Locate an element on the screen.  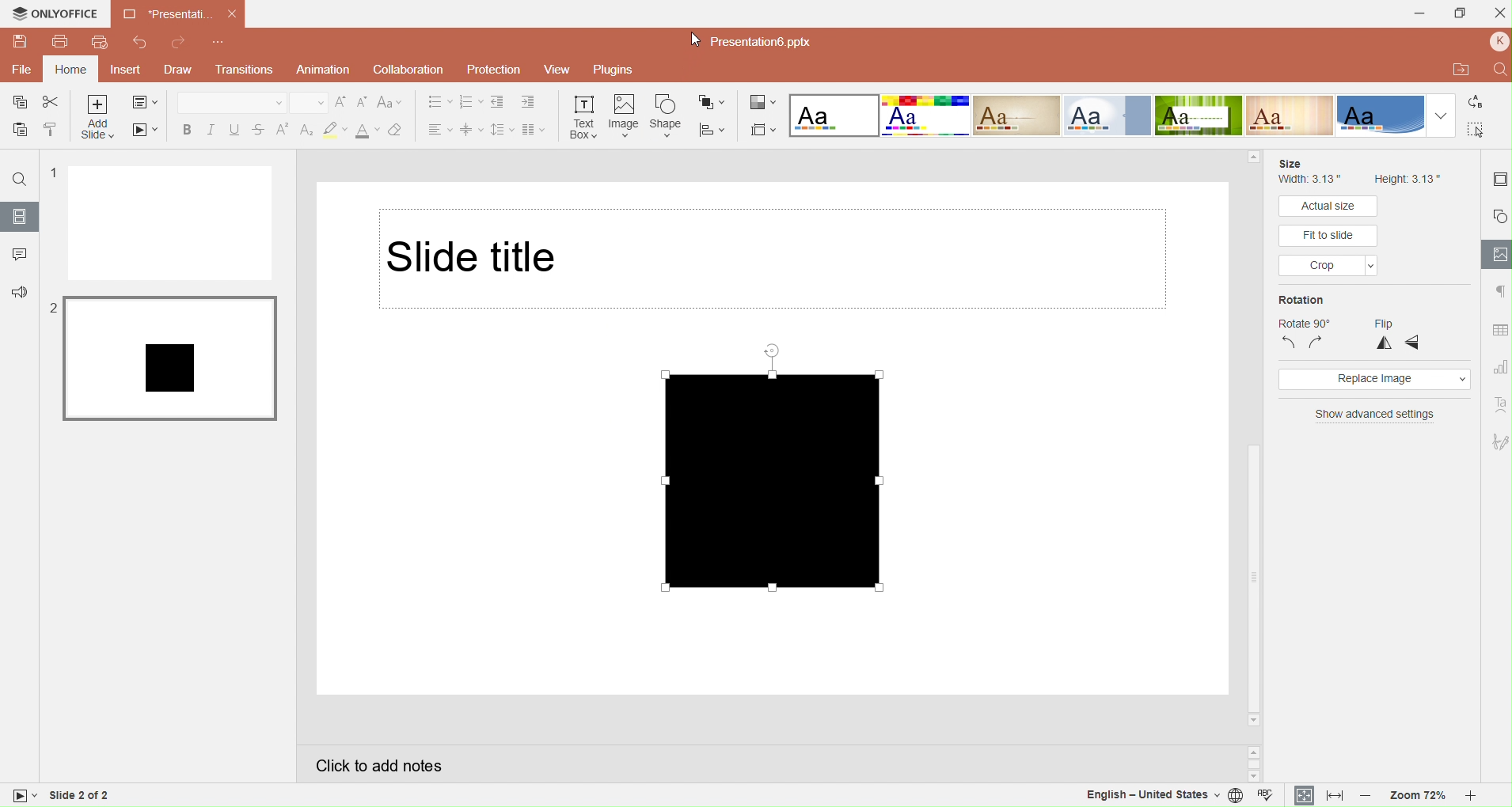
Insert columns is located at coordinates (534, 130).